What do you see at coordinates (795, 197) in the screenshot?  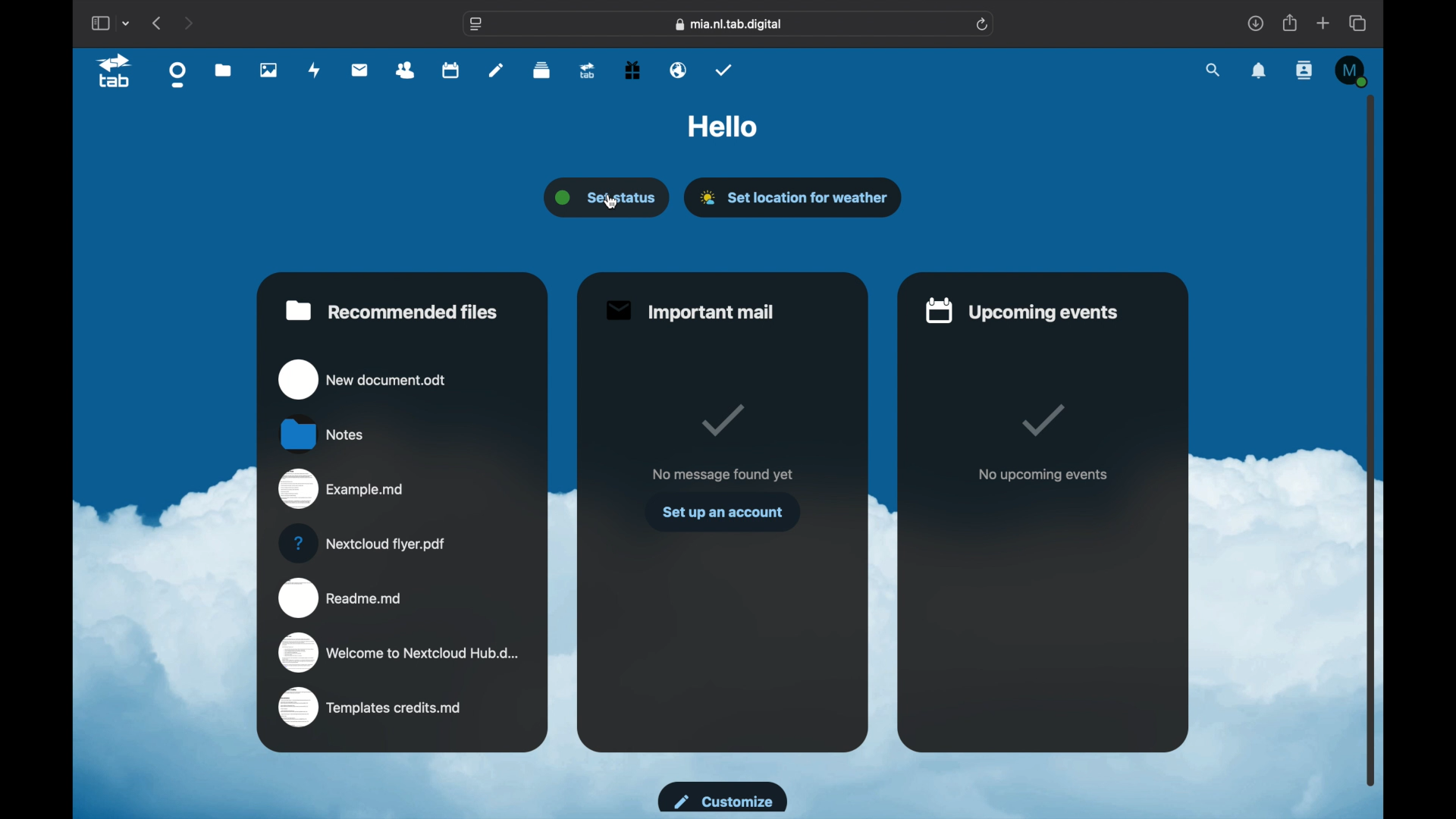 I see `set location for weather` at bounding box center [795, 197].